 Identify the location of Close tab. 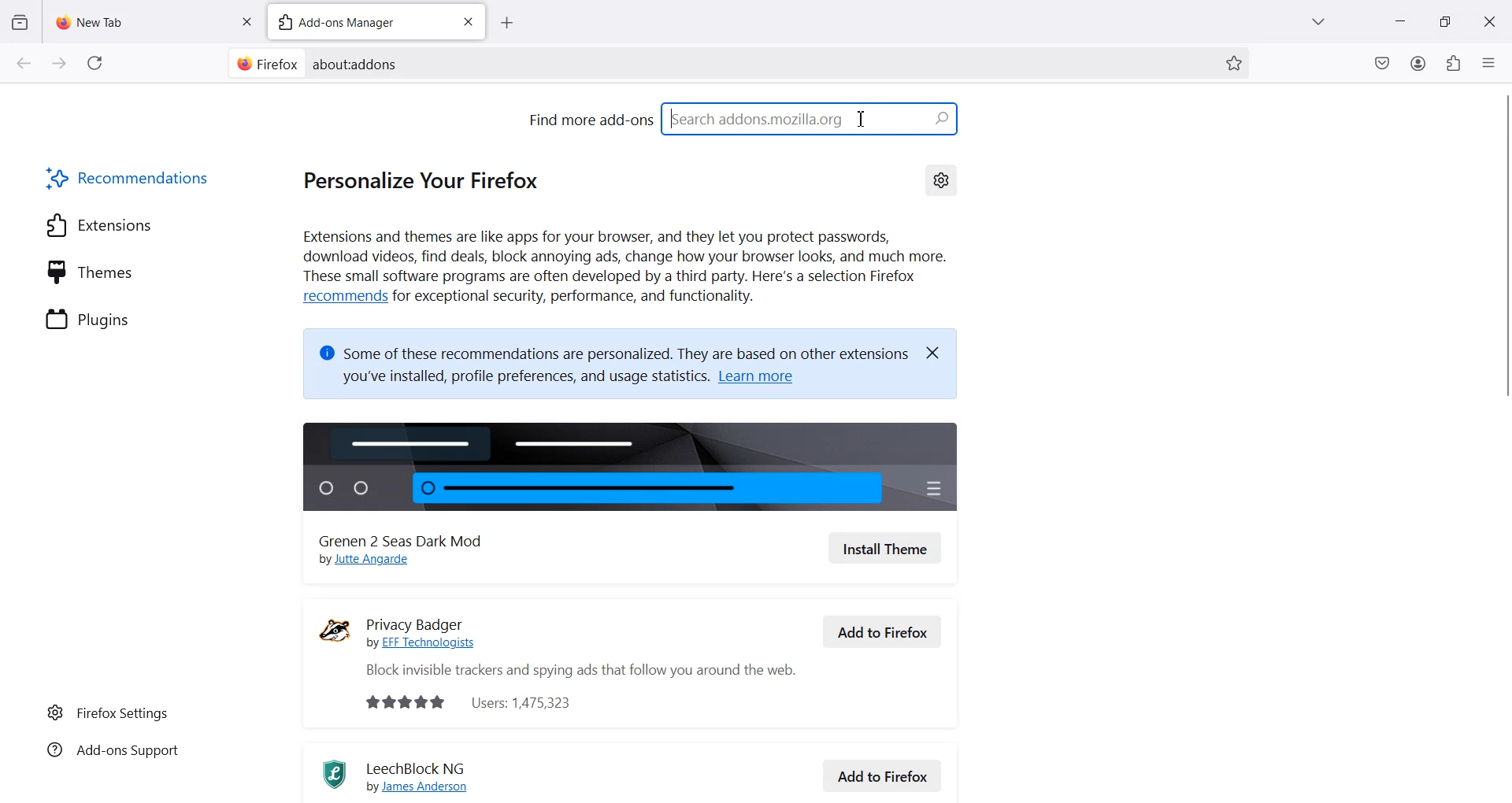
(246, 20).